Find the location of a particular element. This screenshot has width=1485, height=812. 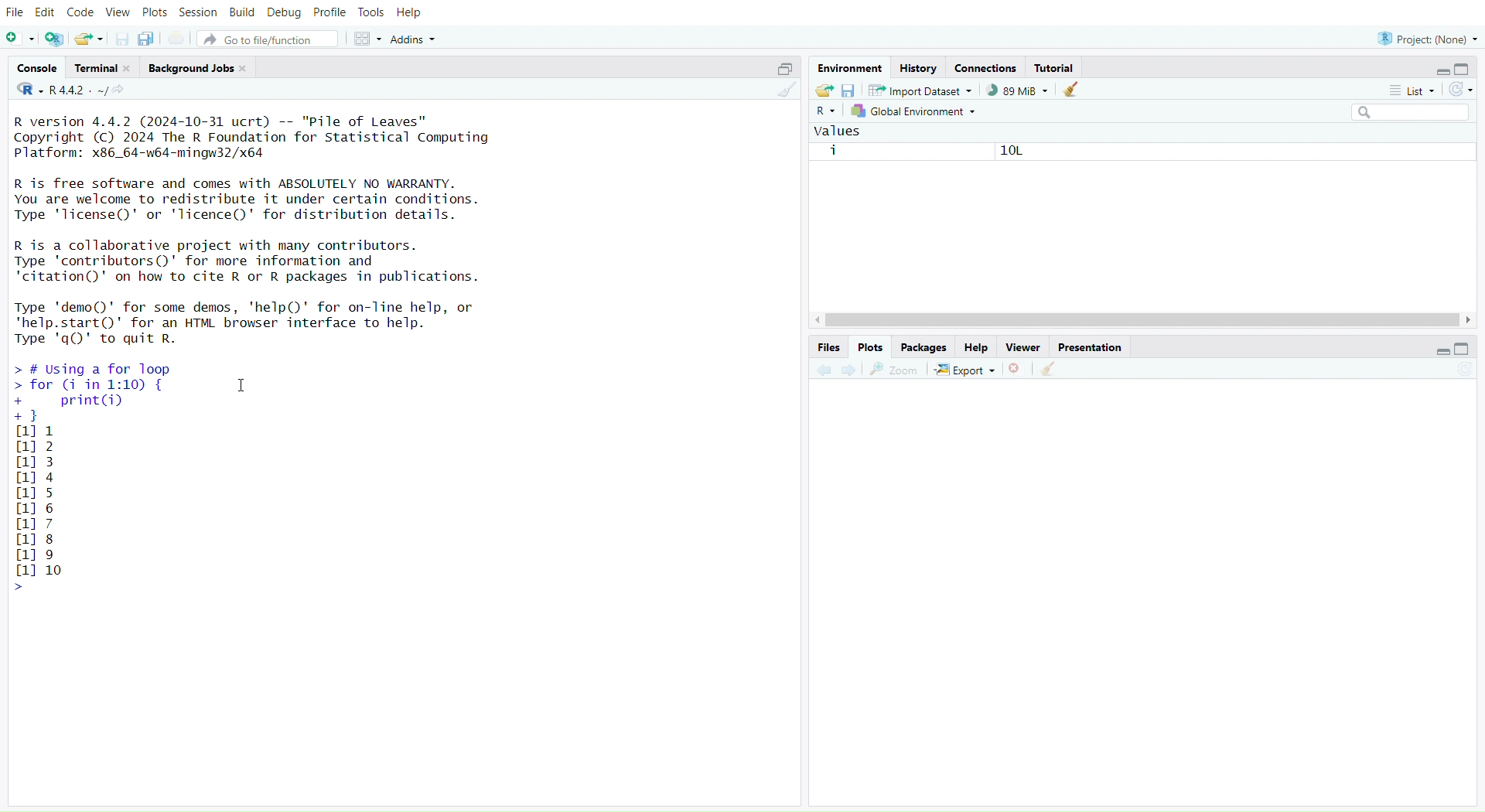

clear console is located at coordinates (783, 91).